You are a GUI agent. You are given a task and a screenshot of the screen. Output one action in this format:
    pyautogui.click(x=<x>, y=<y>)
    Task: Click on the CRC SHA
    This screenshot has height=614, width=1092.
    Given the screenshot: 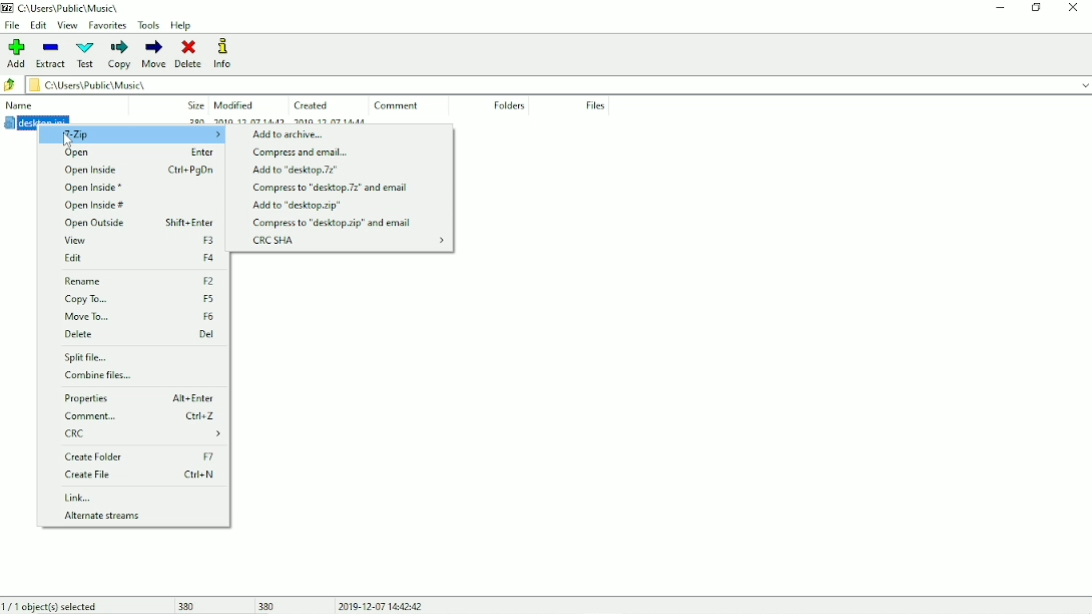 What is the action you would take?
    pyautogui.click(x=348, y=241)
    